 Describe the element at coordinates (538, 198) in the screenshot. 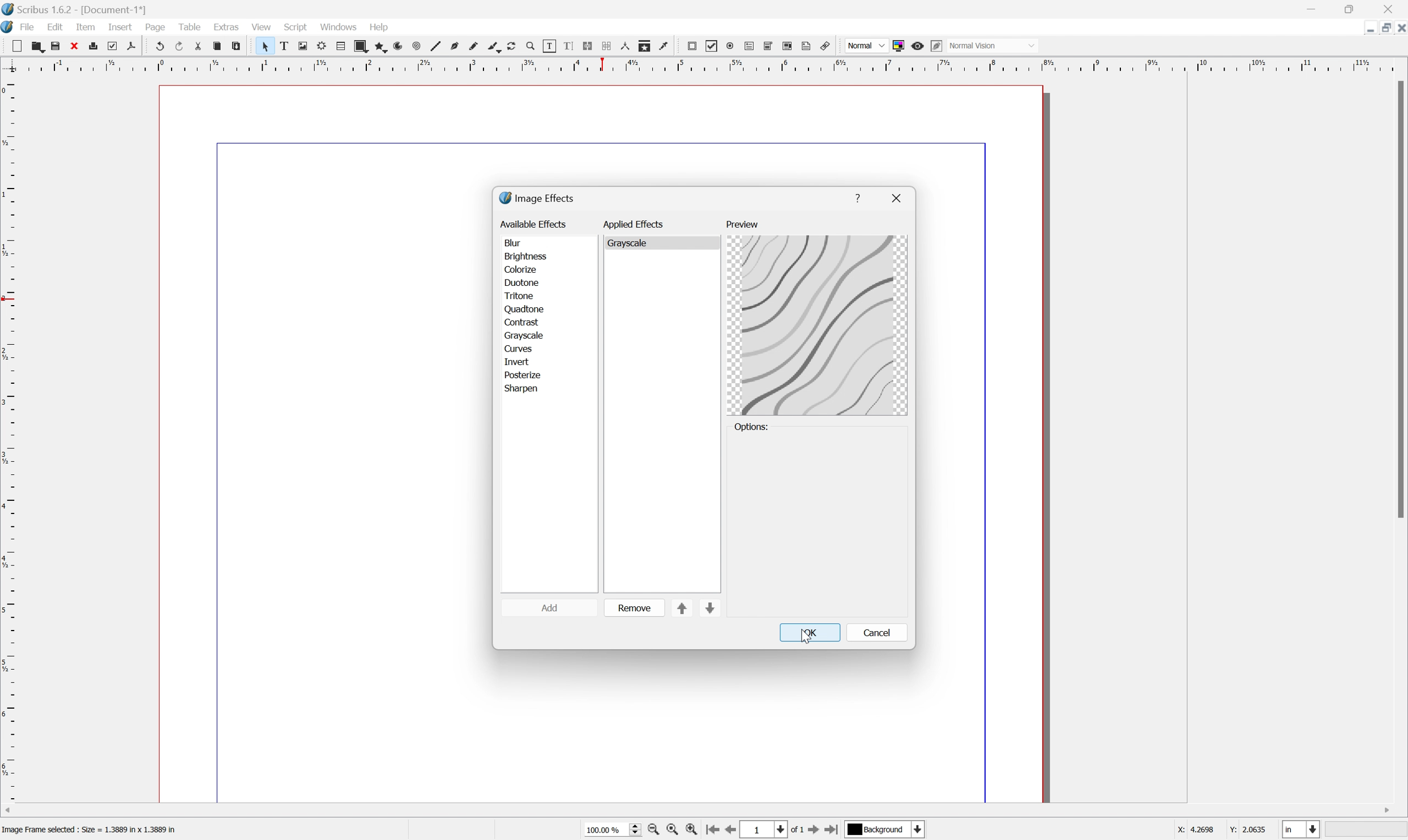

I see `image effects` at that location.